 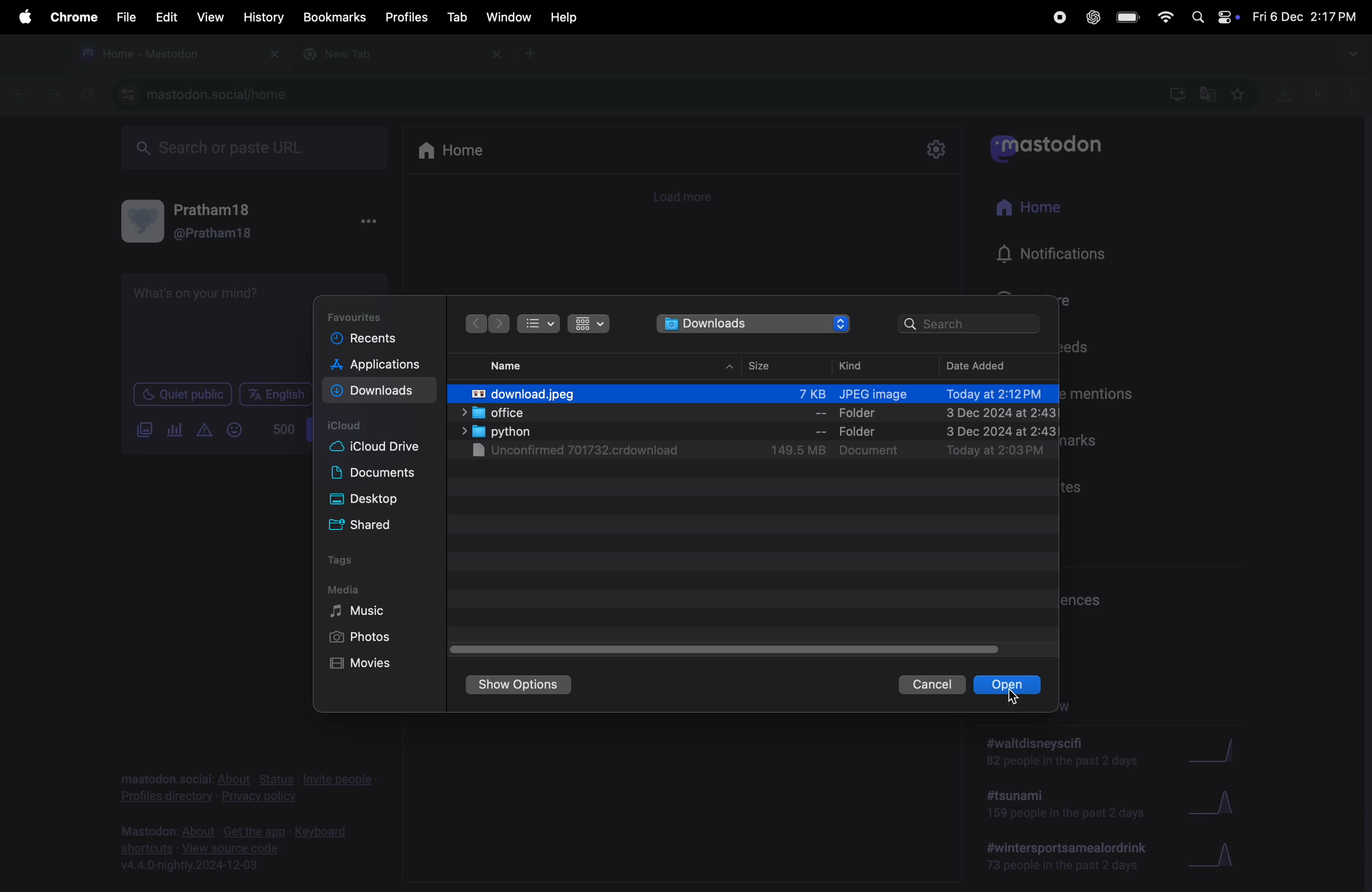 I want to click on date added, so click(x=973, y=366).